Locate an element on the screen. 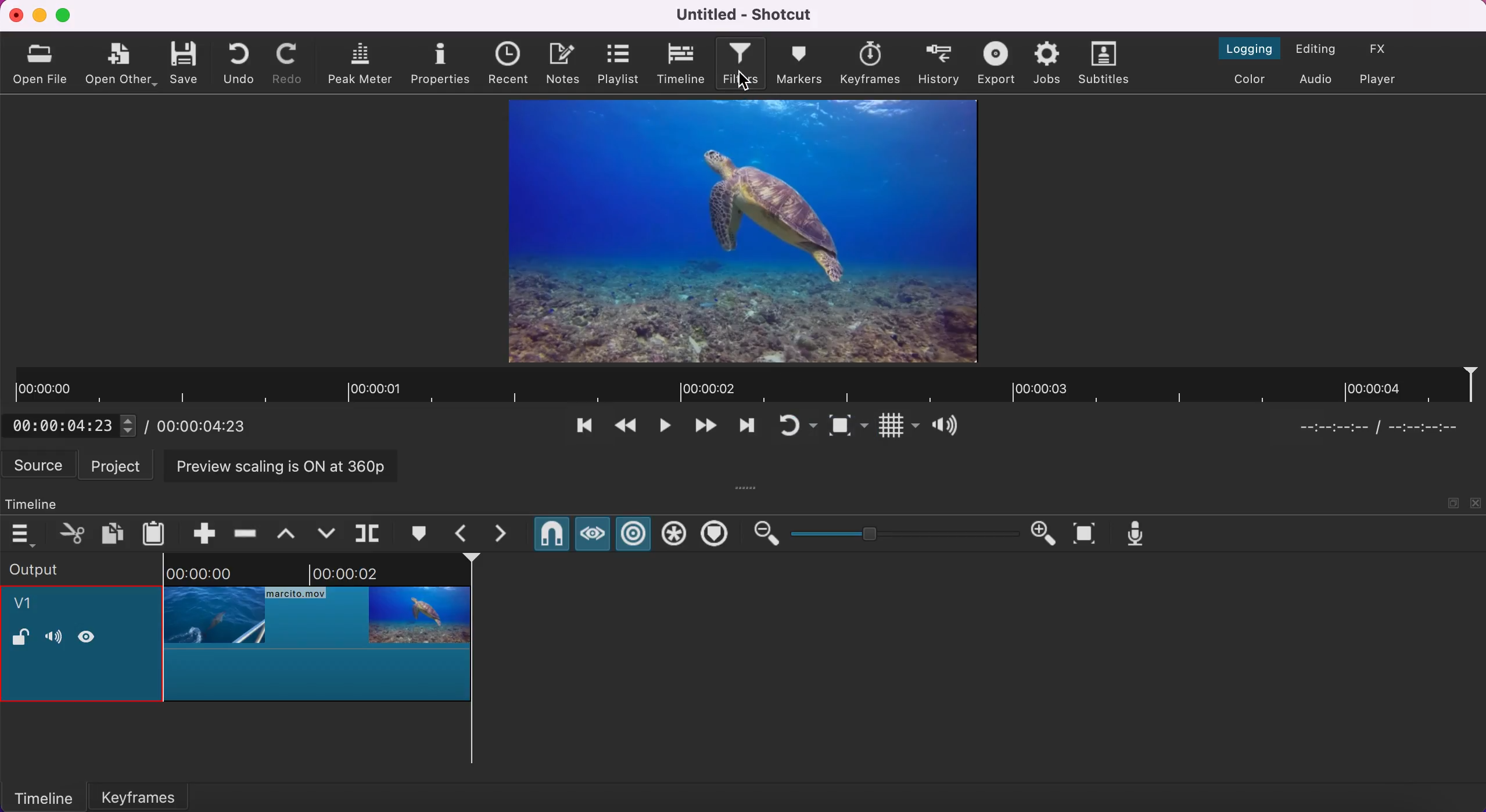 This screenshot has width=1486, height=812. switch to the editing layout is located at coordinates (1314, 51).